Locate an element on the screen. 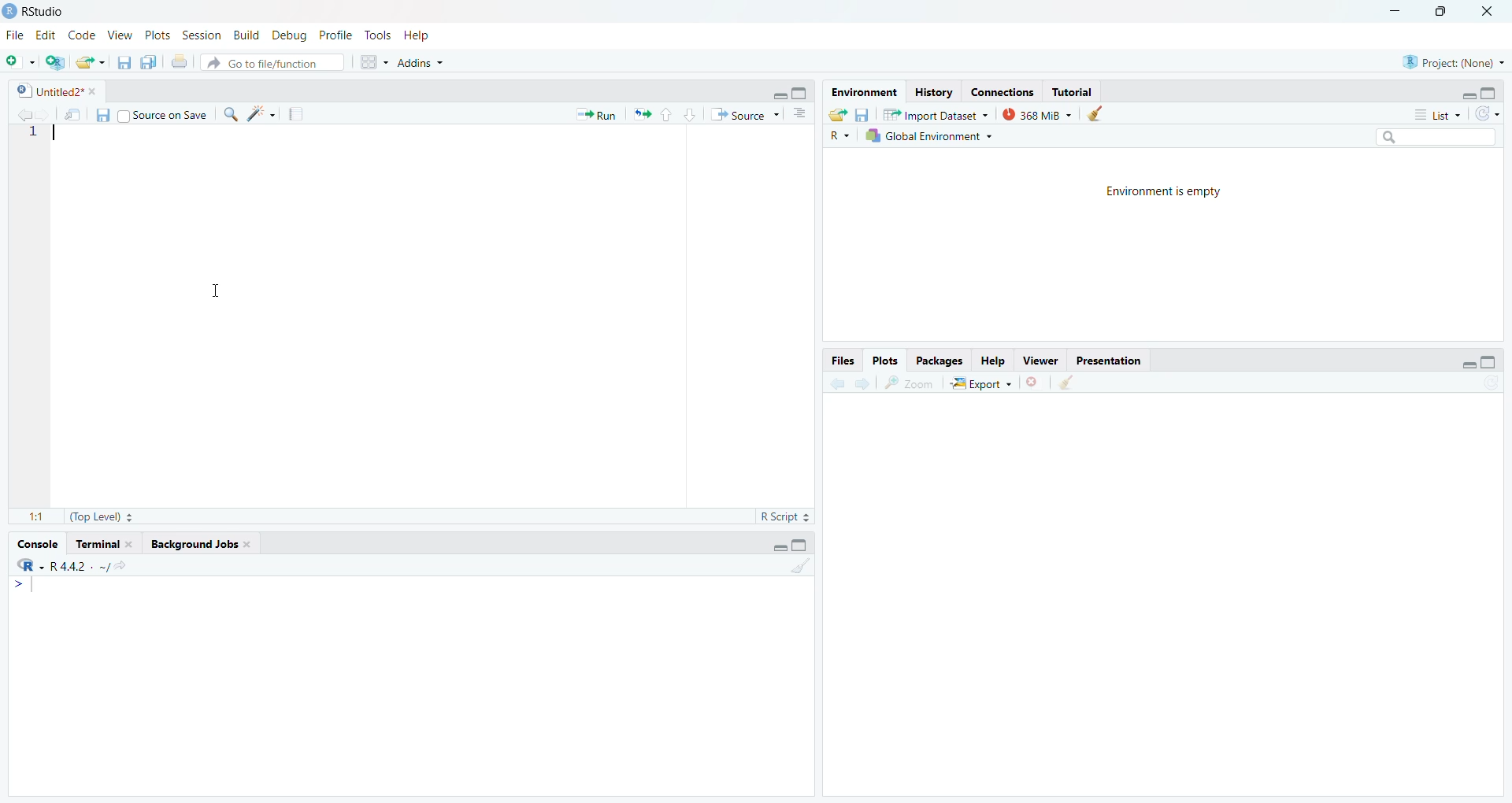 Image resolution: width=1512 pixels, height=803 pixels. v Plots is located at coordinates (159, 37).